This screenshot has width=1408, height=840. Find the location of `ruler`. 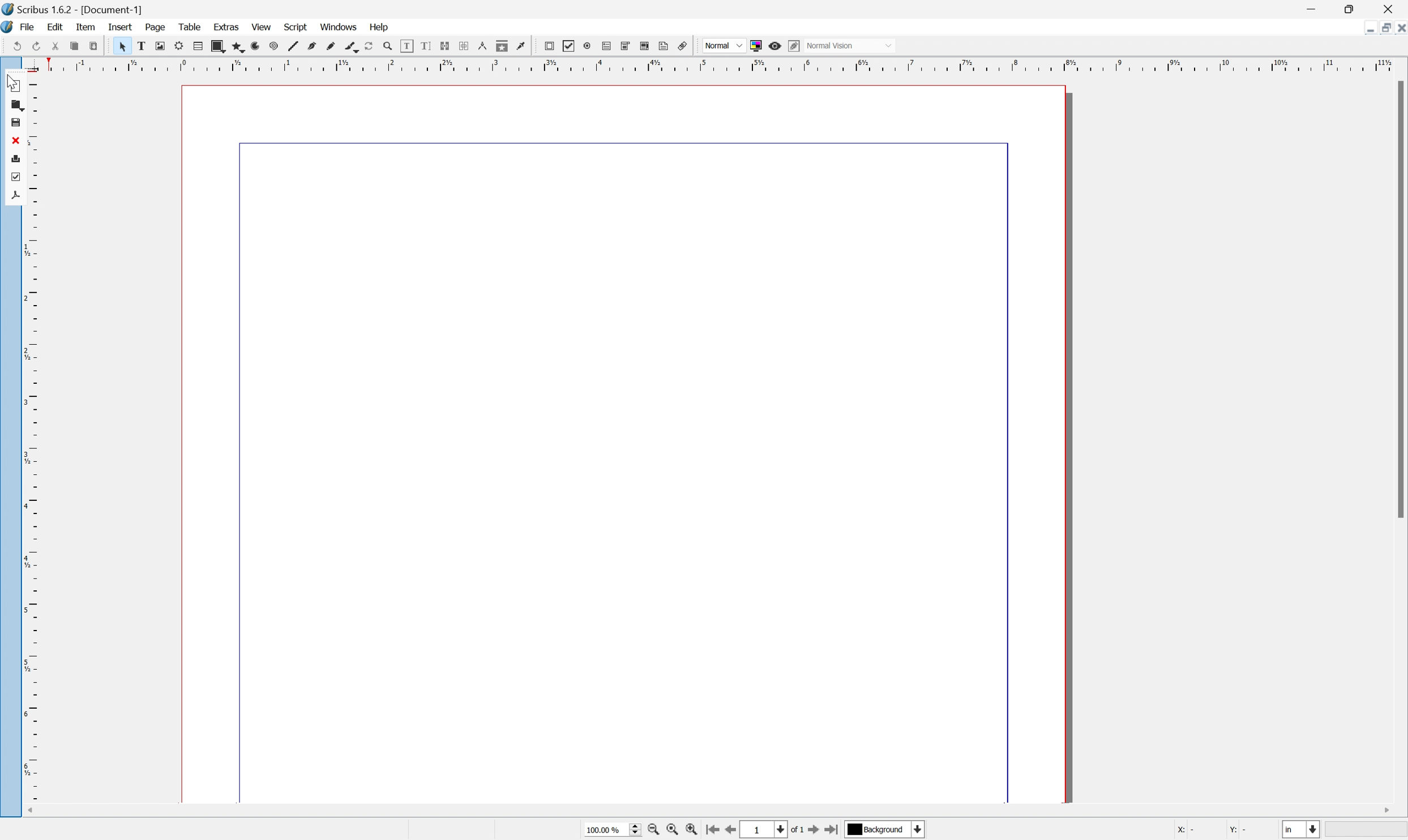

ruler is located at coordinates (705, 63).